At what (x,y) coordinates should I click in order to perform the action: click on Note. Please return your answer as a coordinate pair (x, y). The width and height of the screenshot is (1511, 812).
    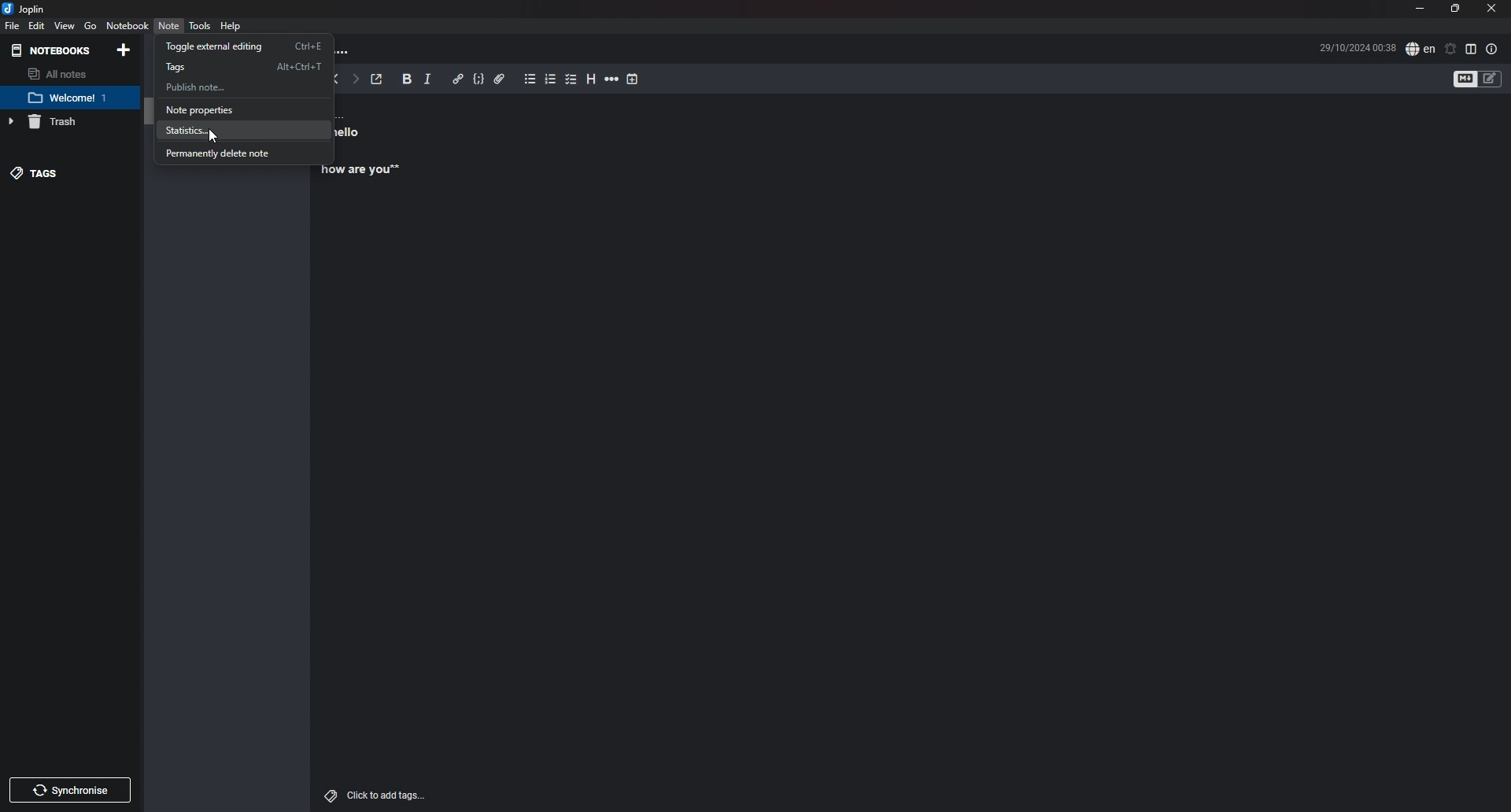
    Looking at the image, I should click on (170, 25).